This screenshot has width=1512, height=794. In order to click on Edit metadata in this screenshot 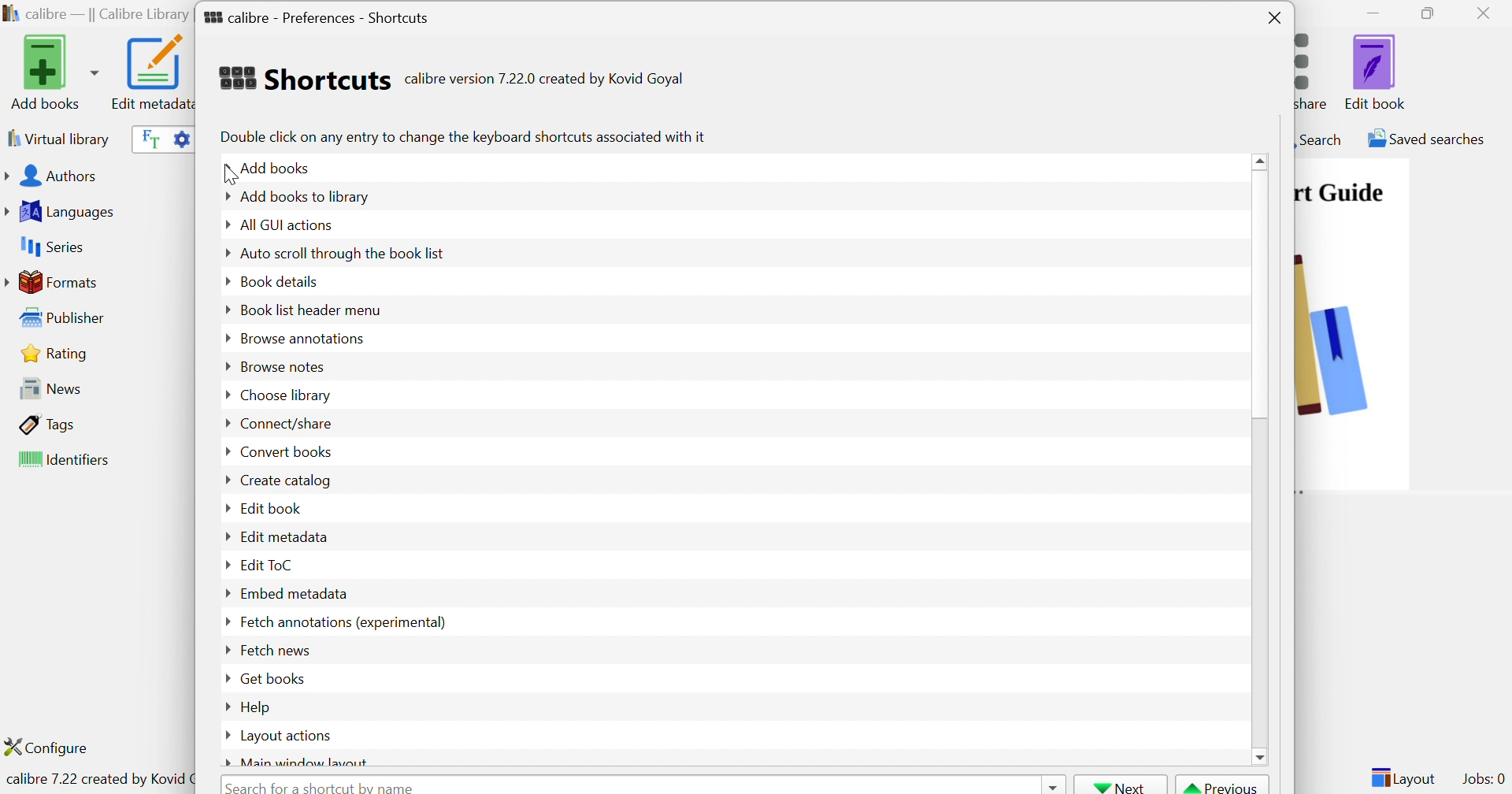, I will do `click(150, 72)`.